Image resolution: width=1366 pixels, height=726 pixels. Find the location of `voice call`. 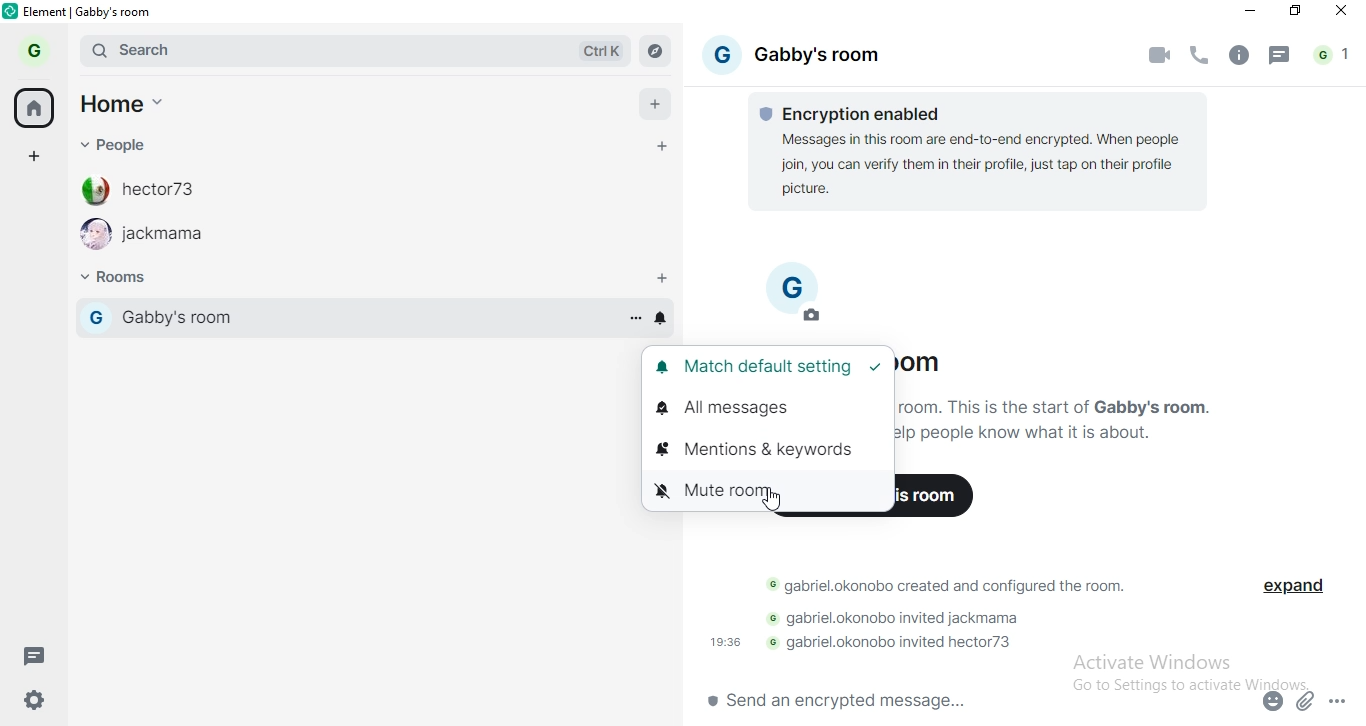

voice call is located at coordinates (1200, 56).